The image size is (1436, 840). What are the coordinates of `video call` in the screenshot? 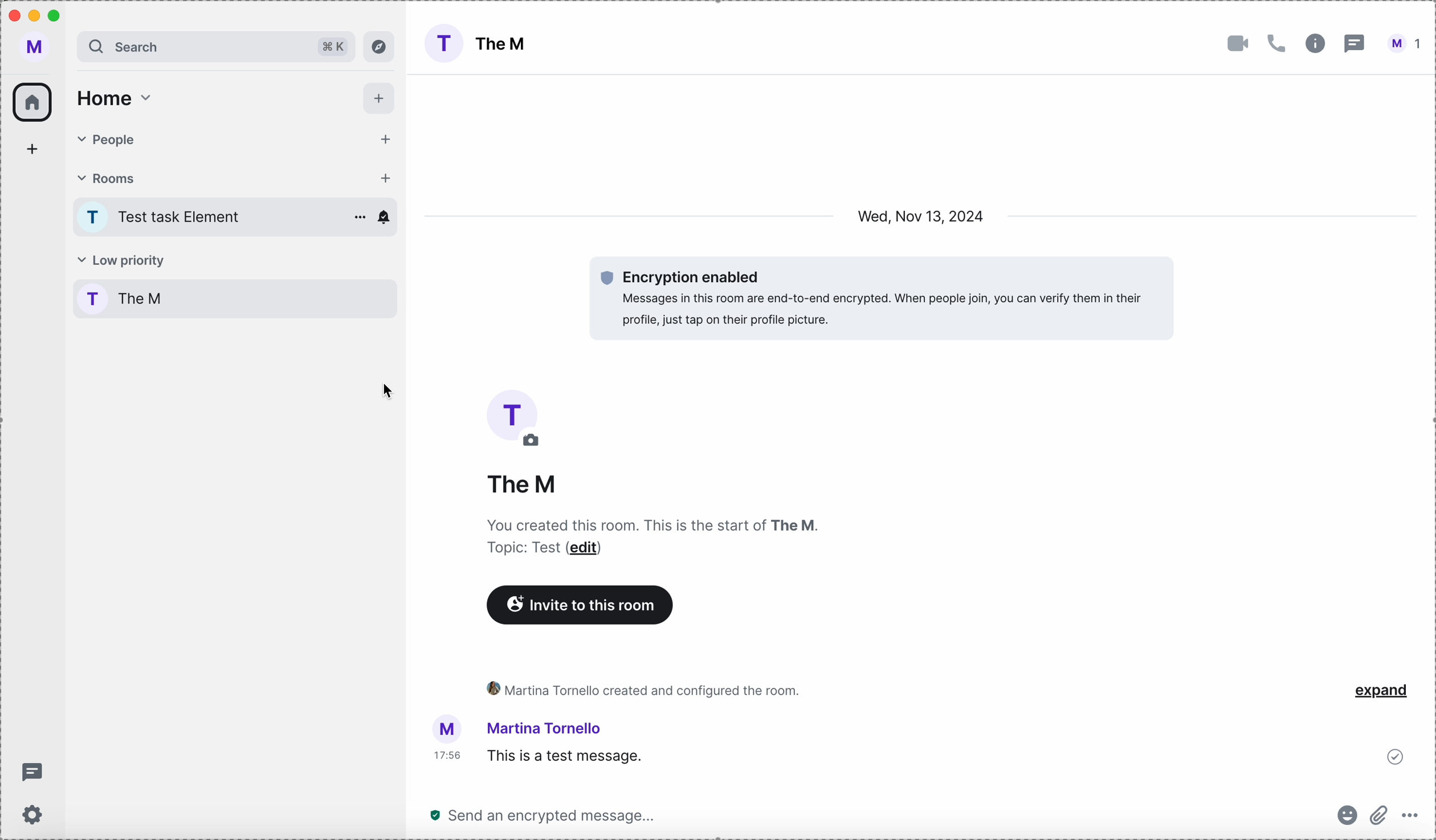 It's located at (1237, 44).